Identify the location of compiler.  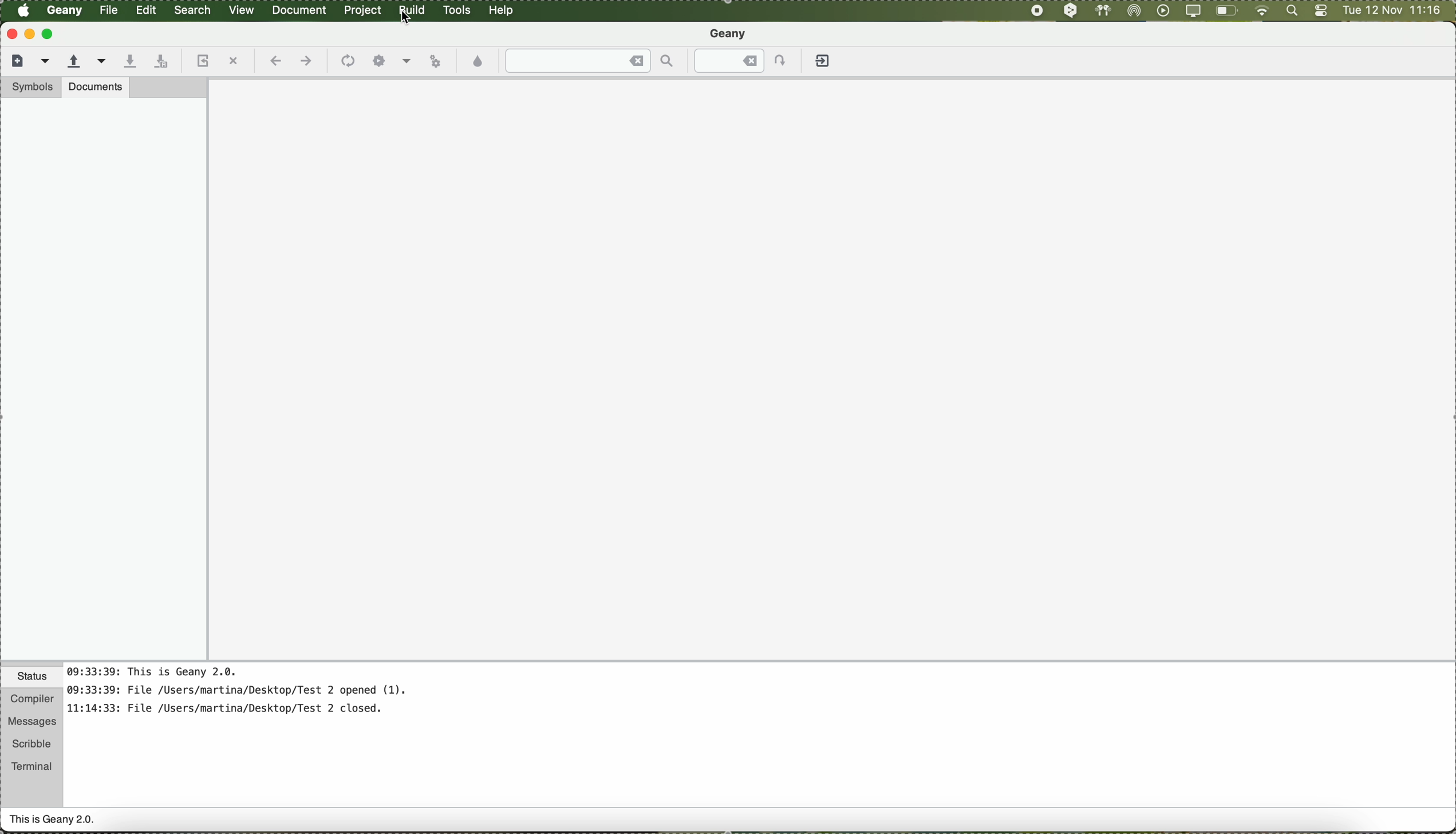
(31, 700).